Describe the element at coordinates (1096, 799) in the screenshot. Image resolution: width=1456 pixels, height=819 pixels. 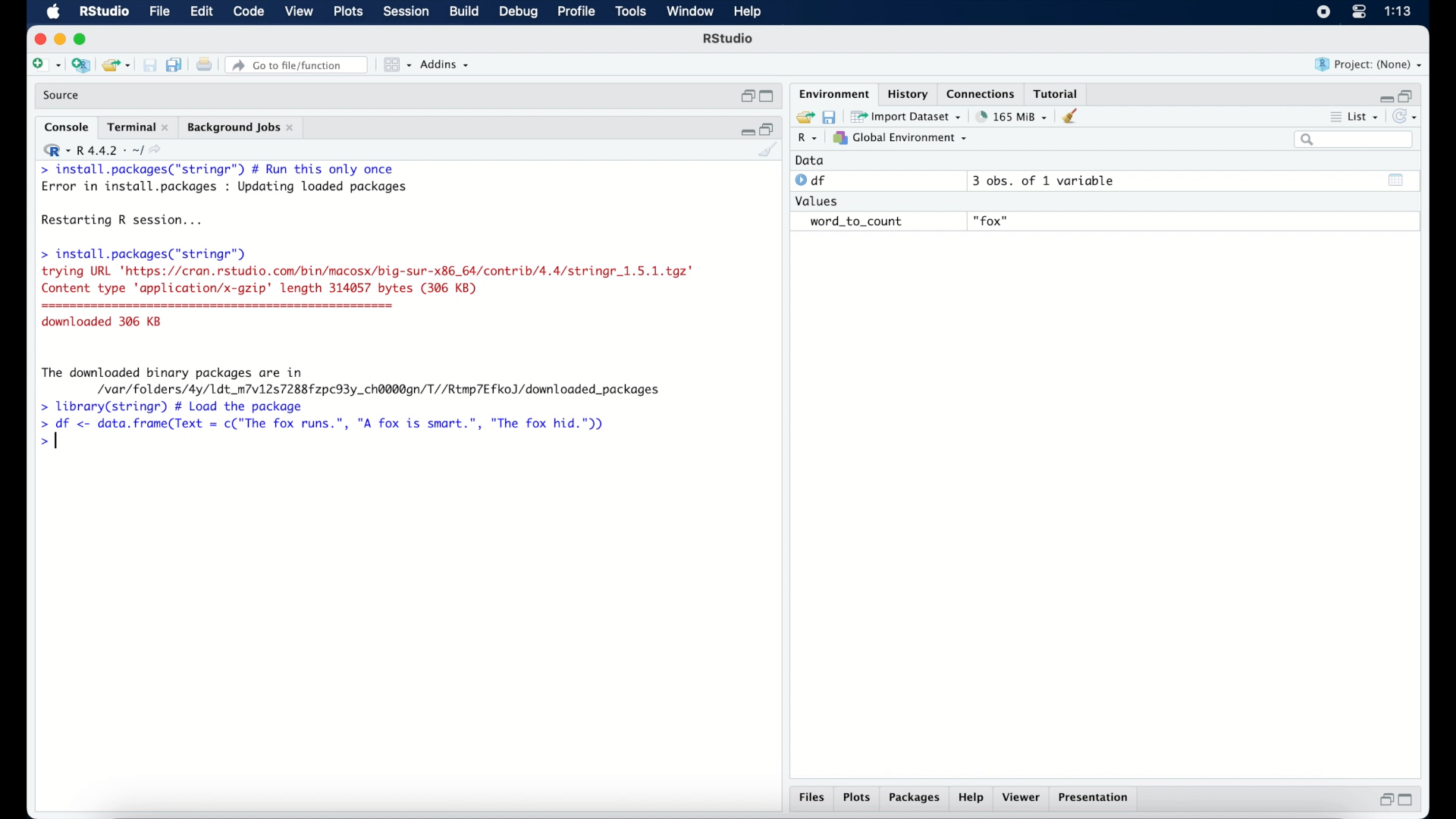
I see `presentation` at that location.